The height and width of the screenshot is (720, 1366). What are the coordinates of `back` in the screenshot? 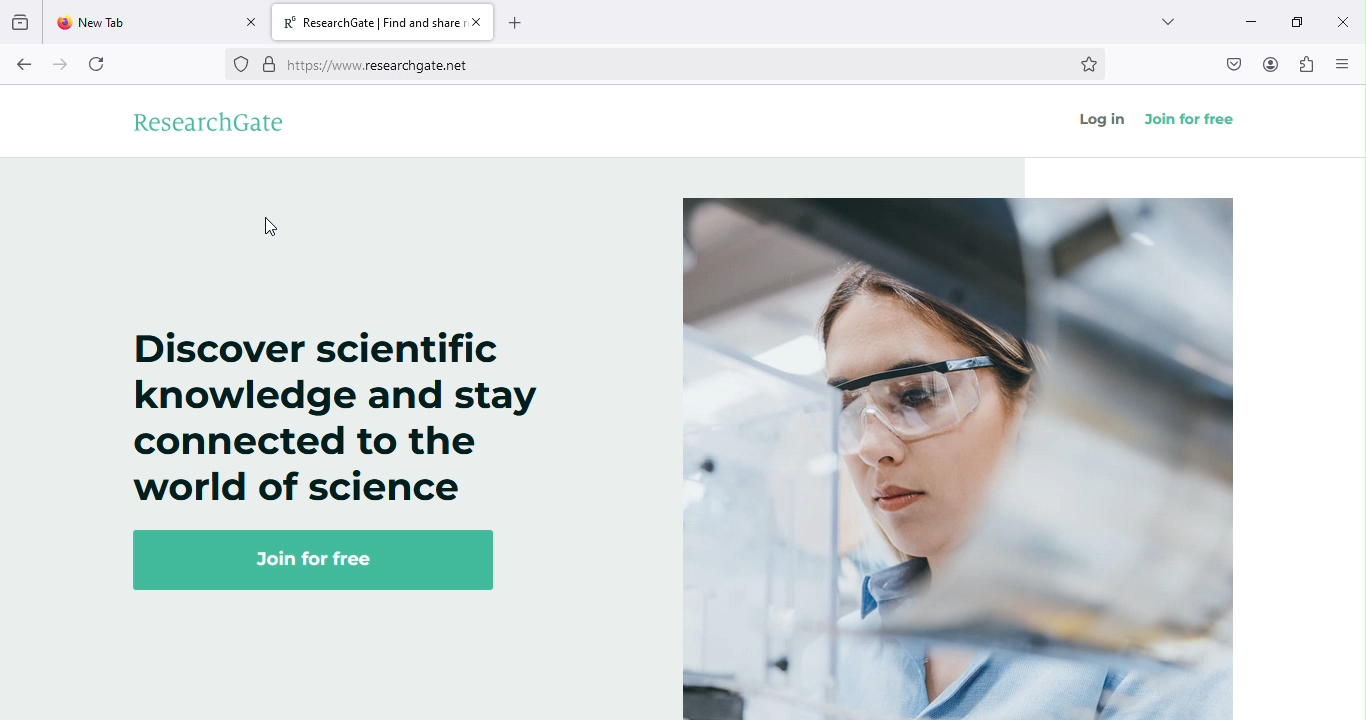 It's located at (25, 65).